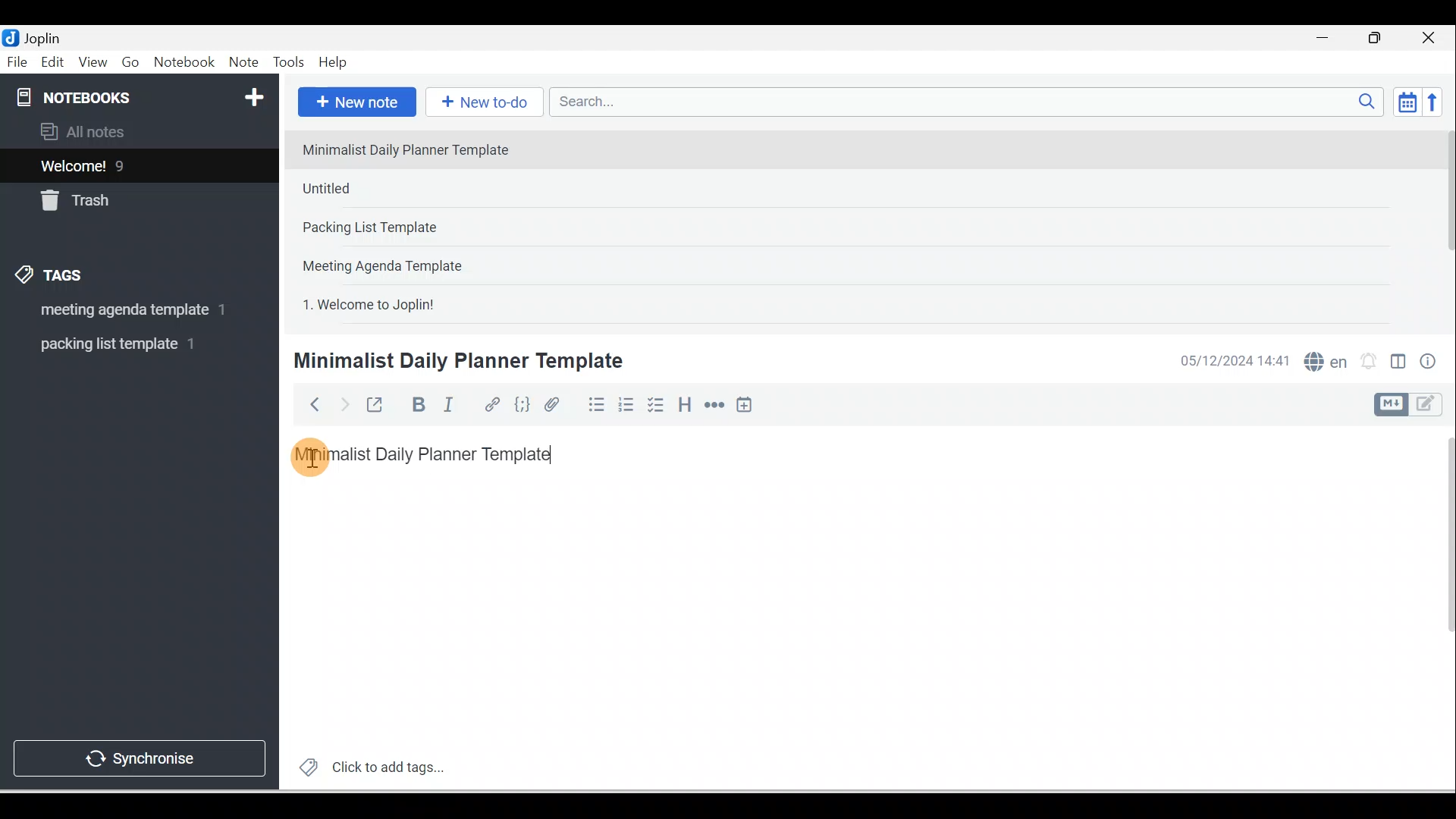  What do you see at coordinates (366, 765) in the screenshot?
I see `Click to add tags` at bounding box center [366, 765].